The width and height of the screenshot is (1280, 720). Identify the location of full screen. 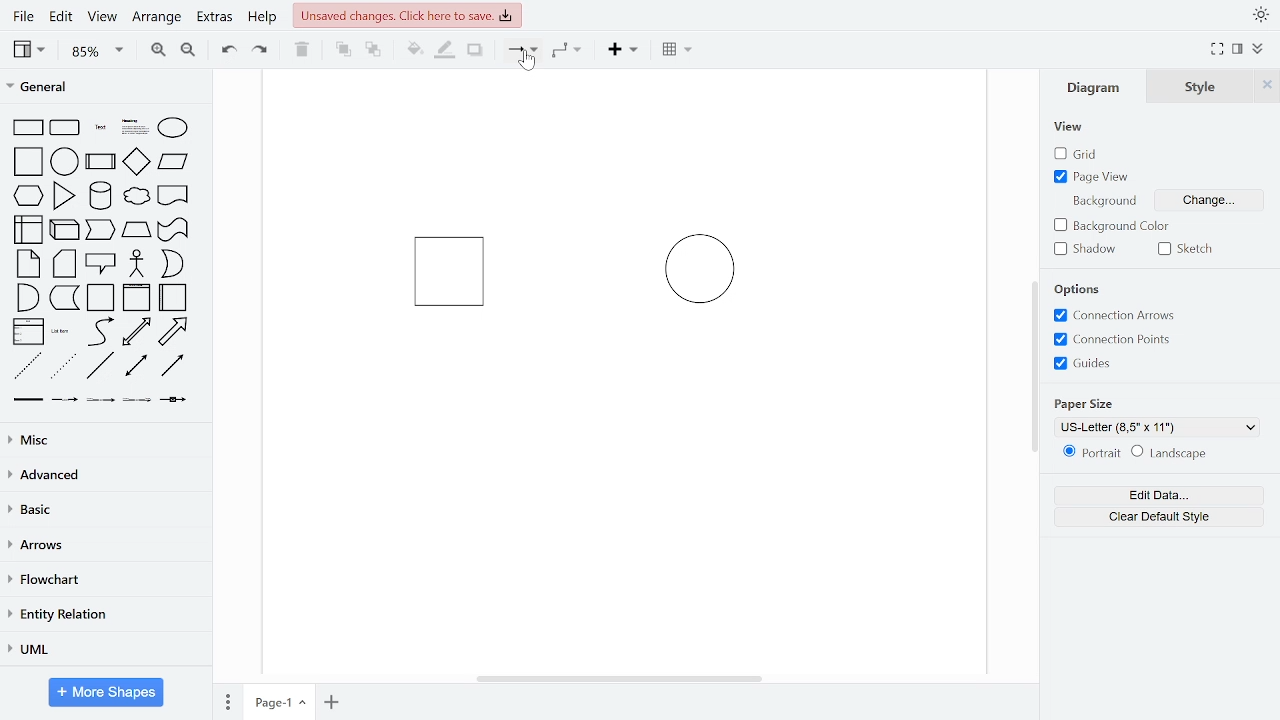
(1218, 50).